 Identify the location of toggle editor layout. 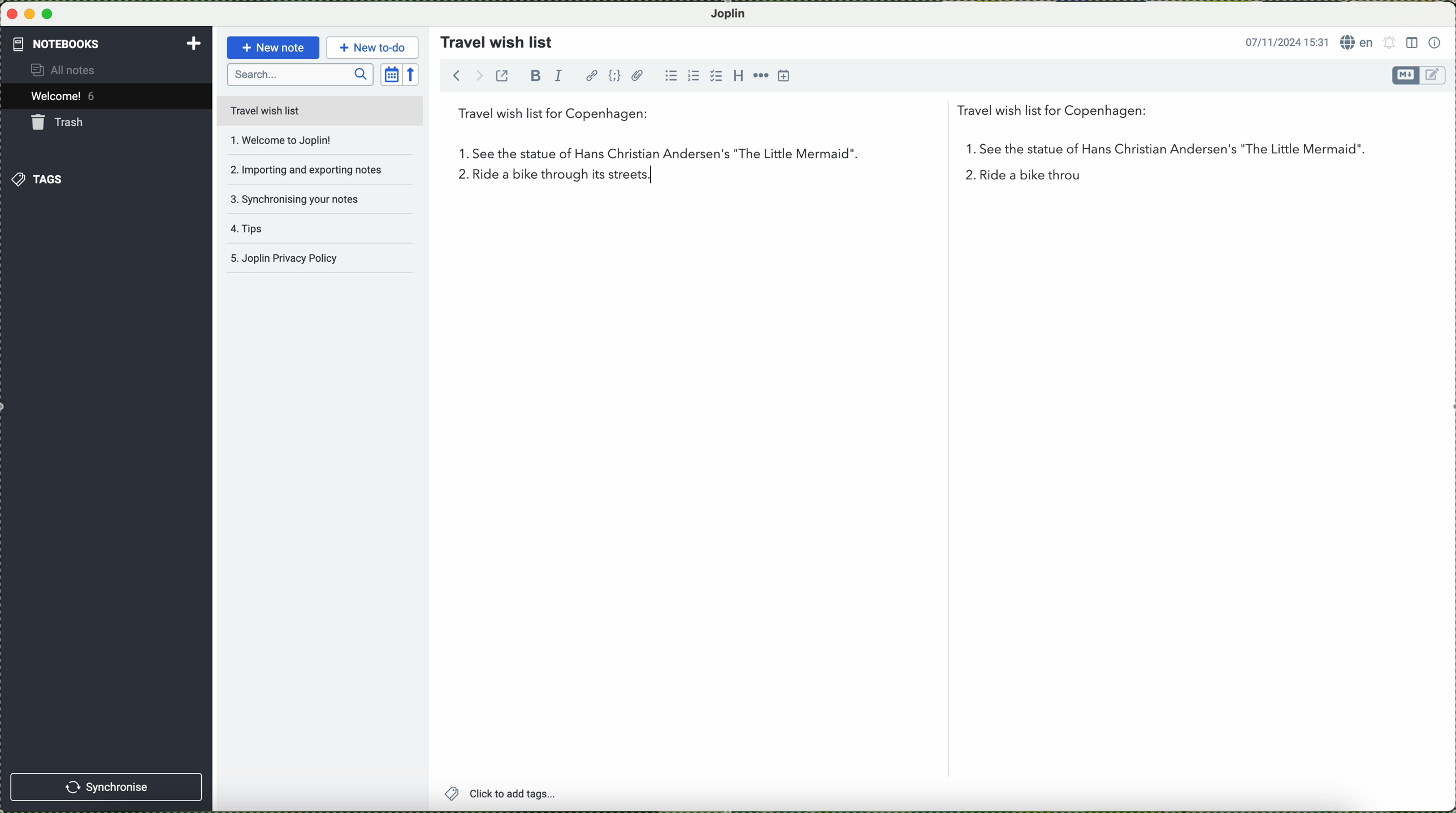
(1411, 43).